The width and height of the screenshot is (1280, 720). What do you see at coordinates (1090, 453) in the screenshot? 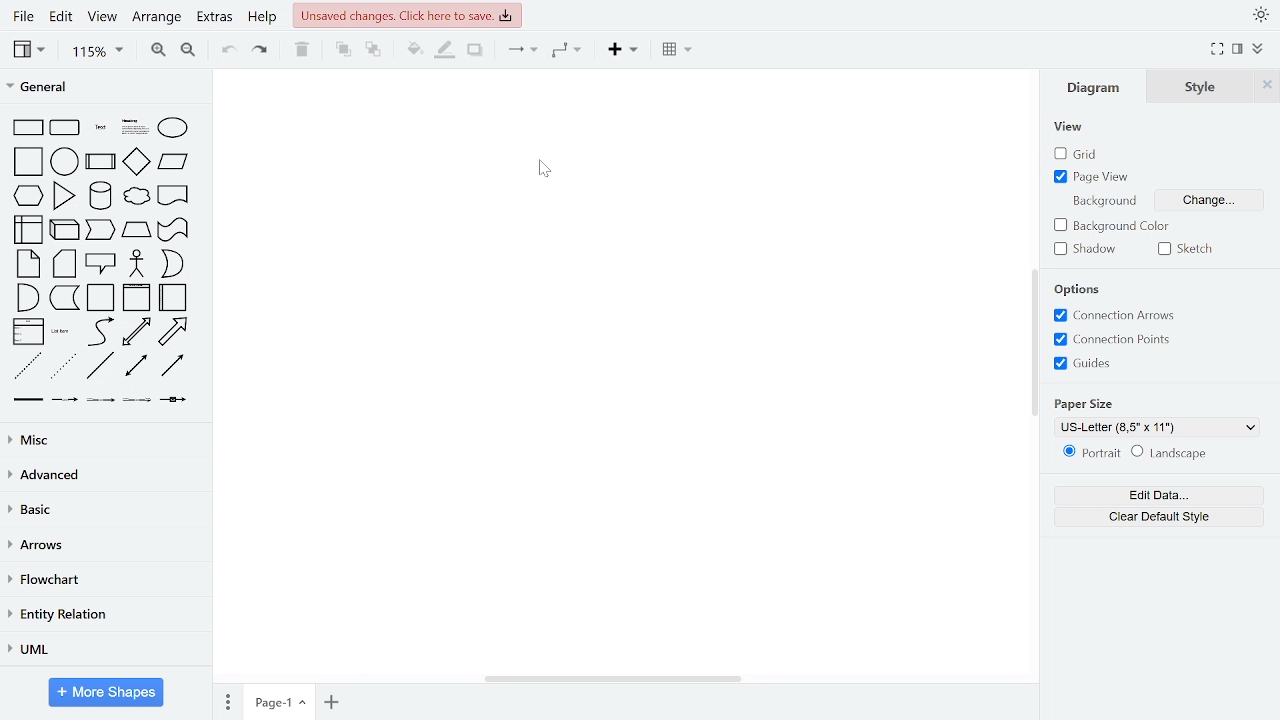
I see `portrait` at bounding box center [1090, 453].